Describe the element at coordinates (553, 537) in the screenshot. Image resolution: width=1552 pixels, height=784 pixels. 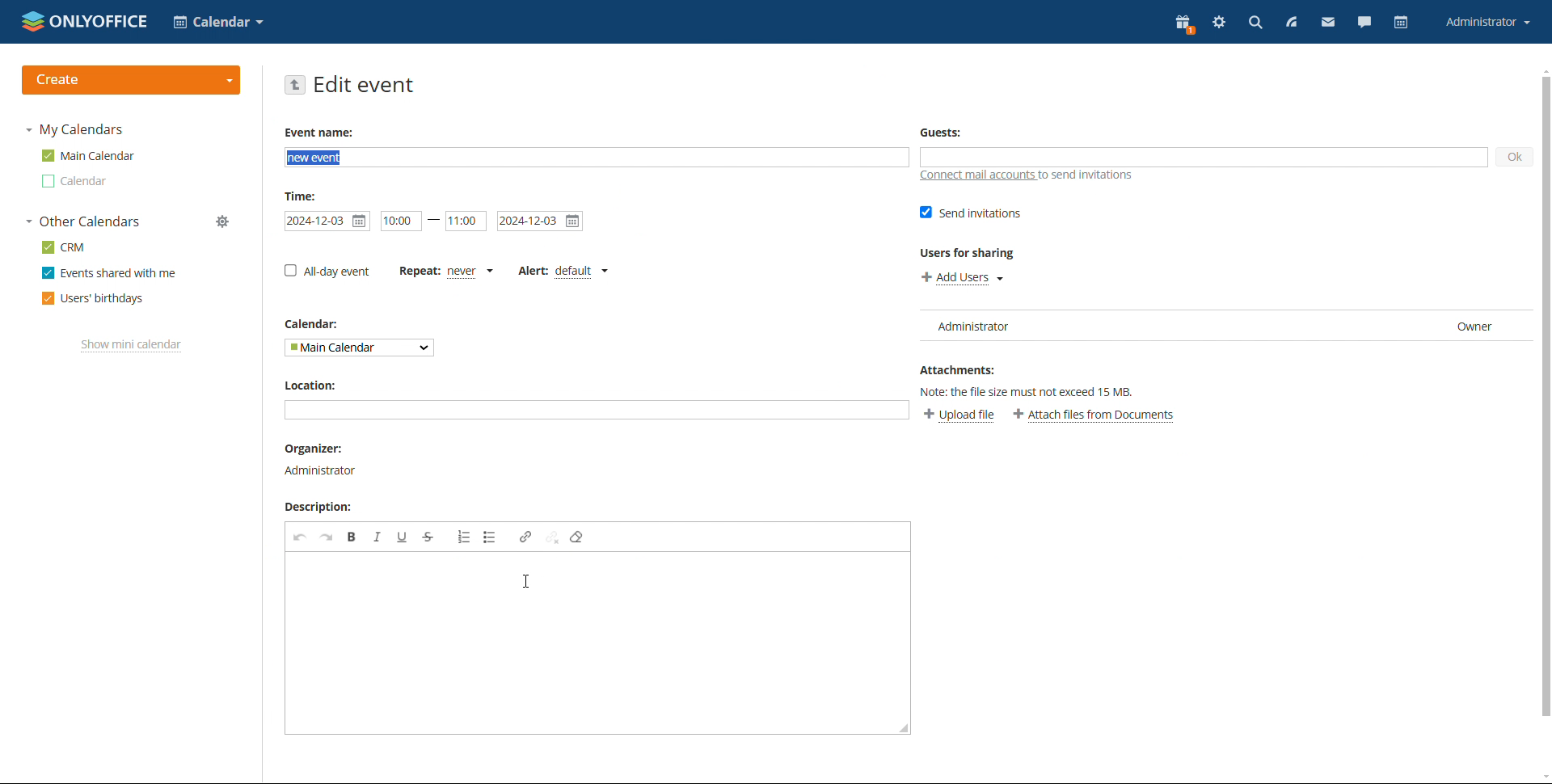
I see `unlink` at that location.